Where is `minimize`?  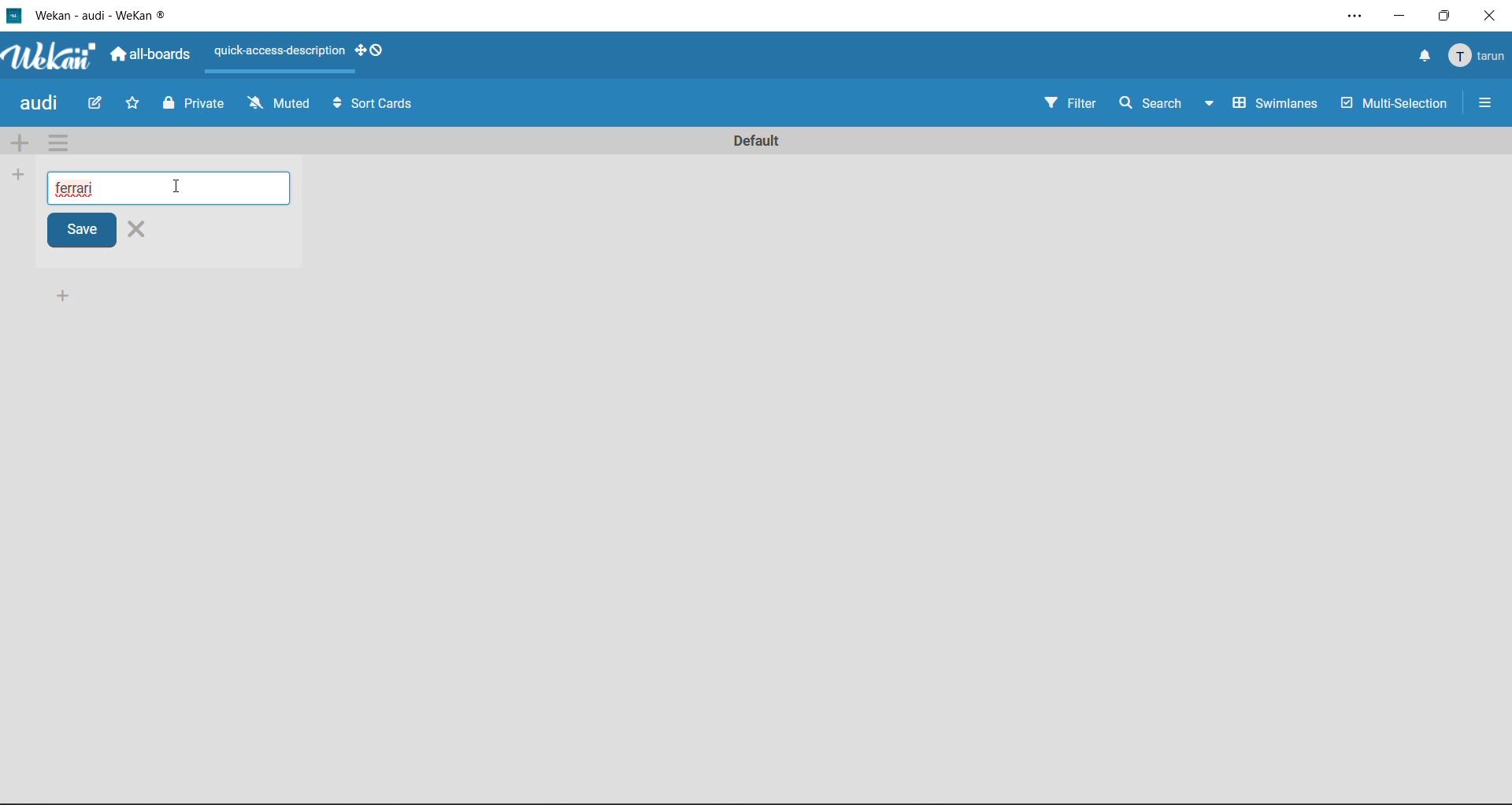
minimize is located at coordinates (1402, 18).